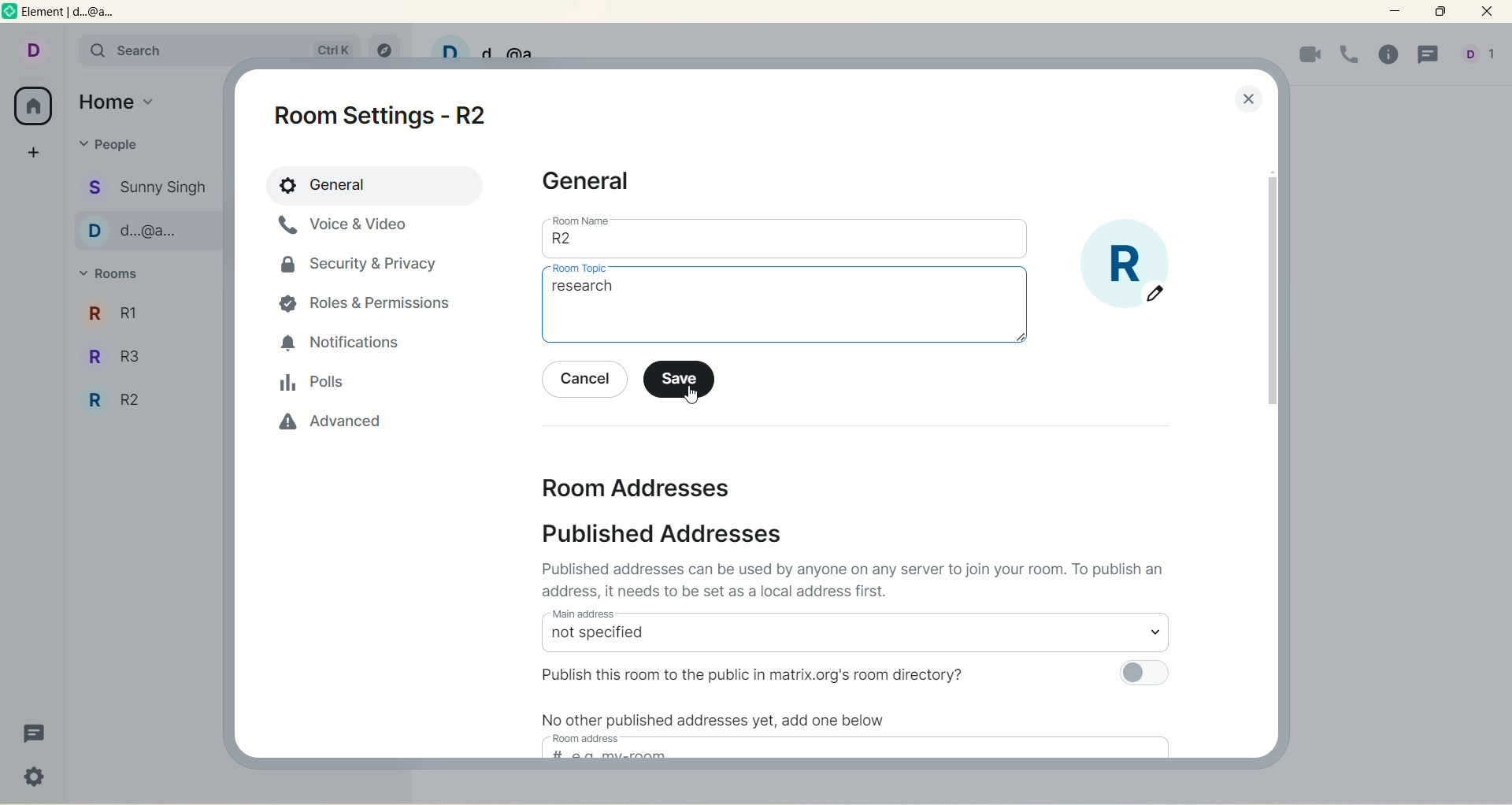  I want to click on roles and permissions, so click(371, 306).